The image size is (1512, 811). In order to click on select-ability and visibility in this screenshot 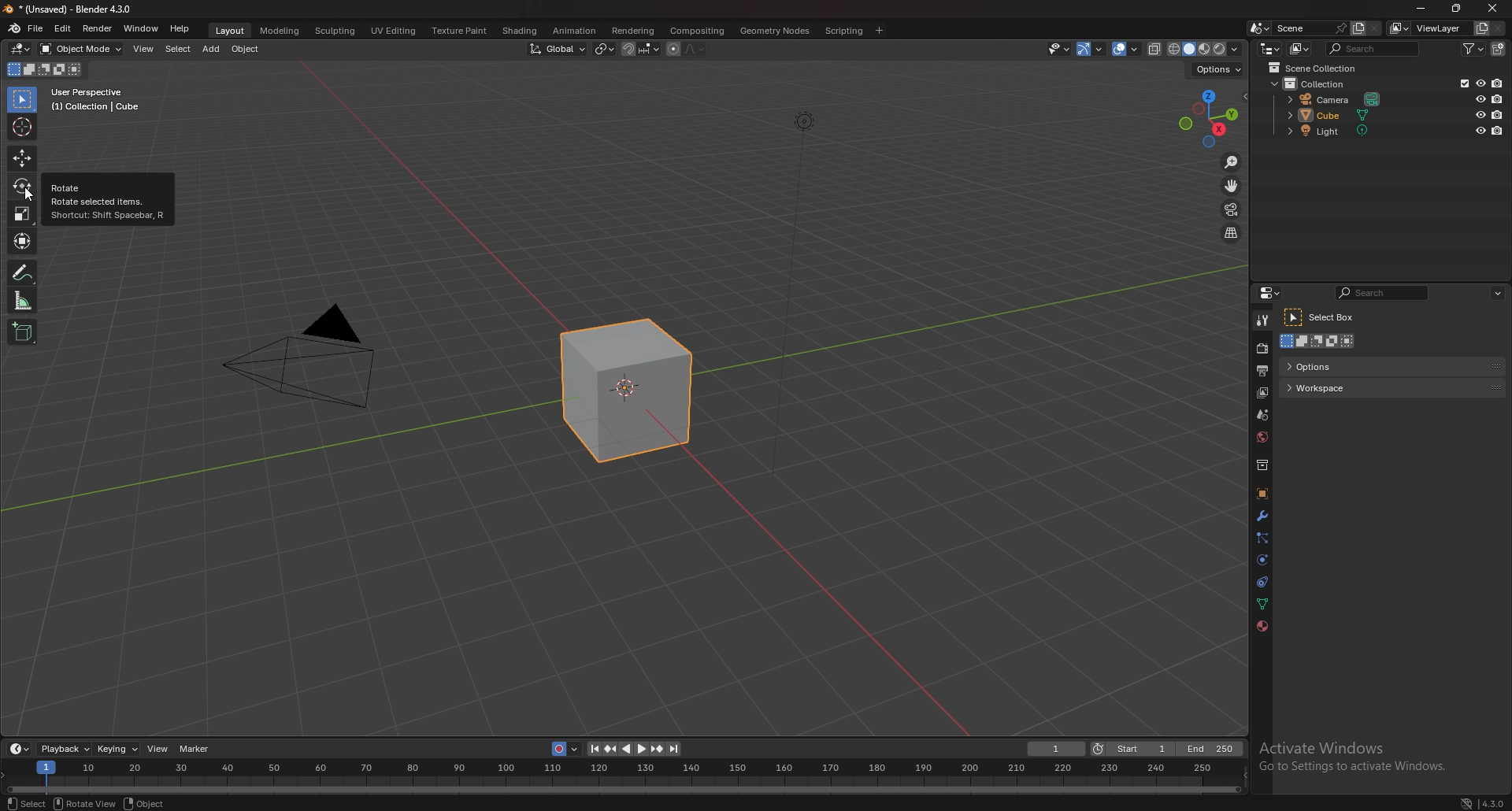, I will do `click(1058, 48)`.